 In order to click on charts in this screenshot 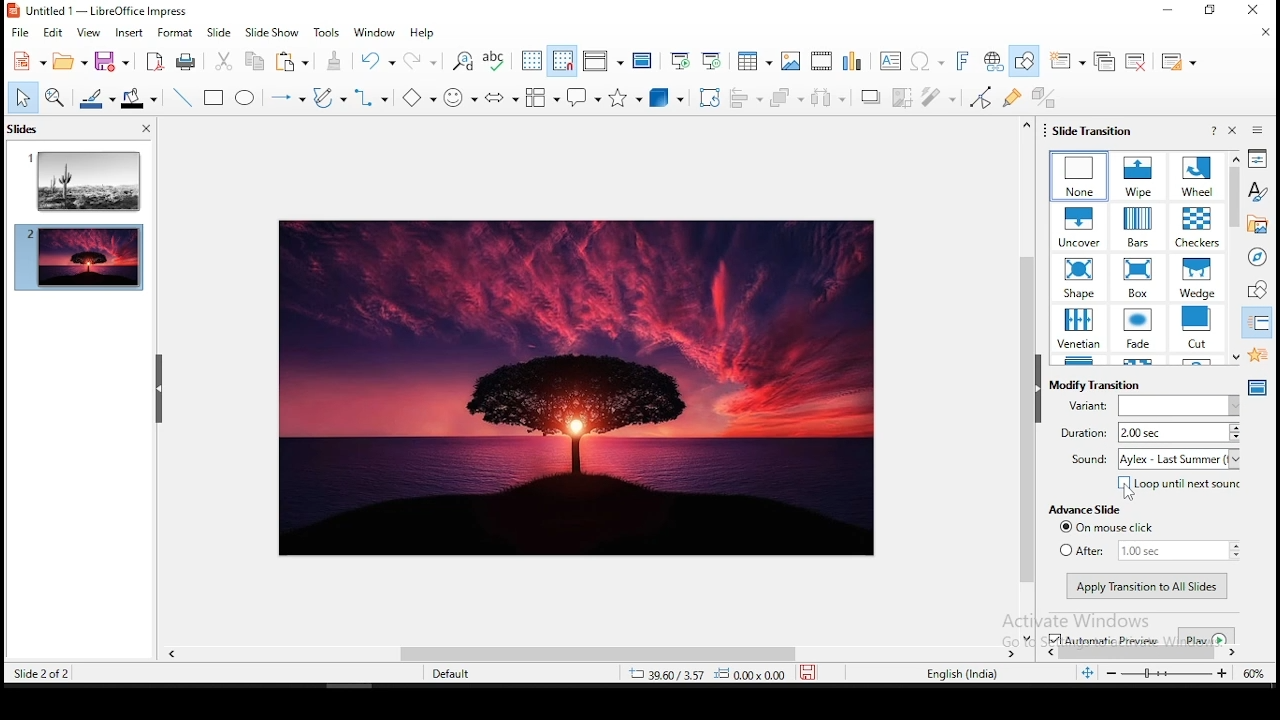, I will do `click(856, 61)`.